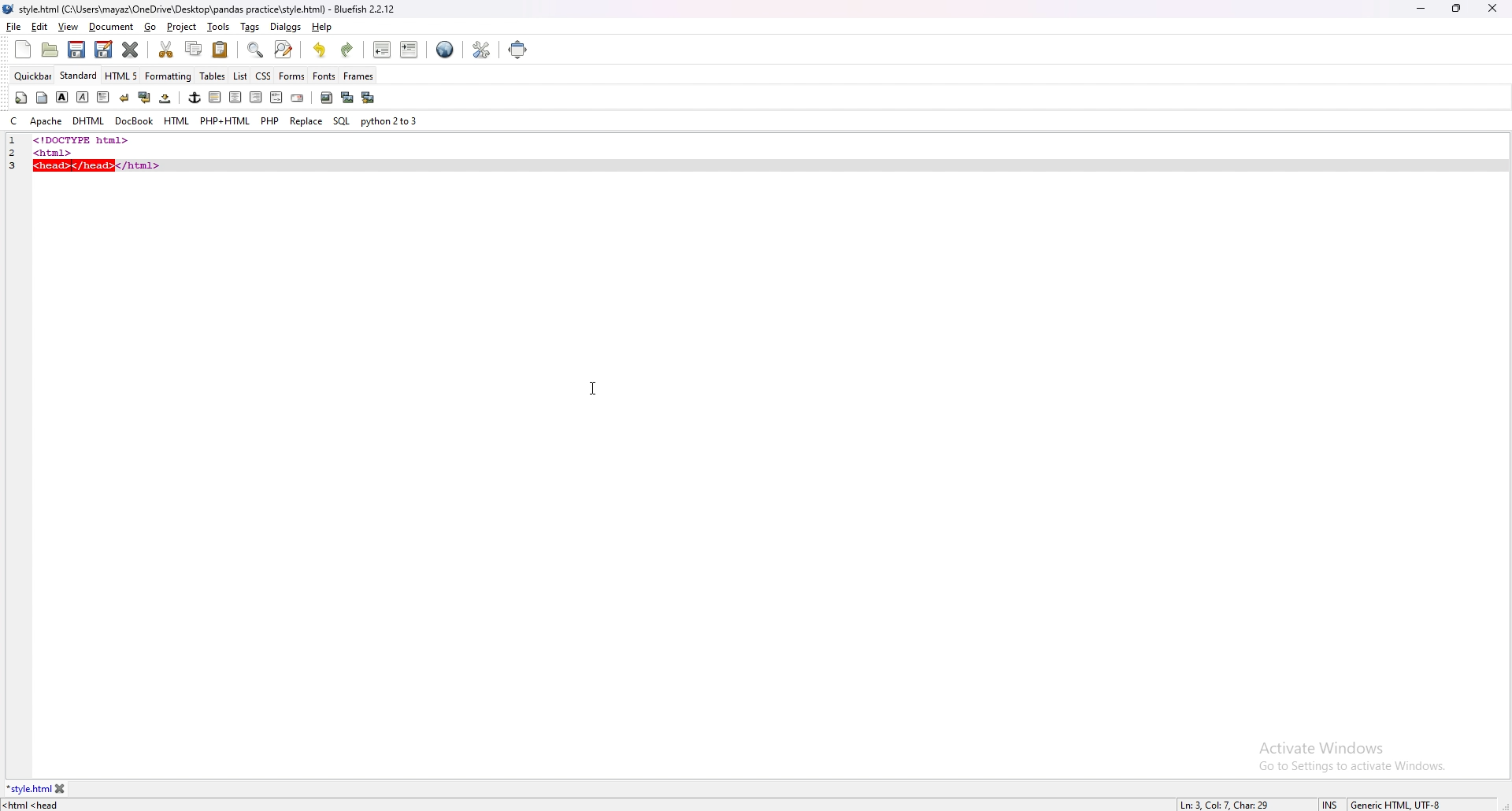 The width and height of the screenshot is (1512, 811). I want to click on encoding, so click(1395, 803).